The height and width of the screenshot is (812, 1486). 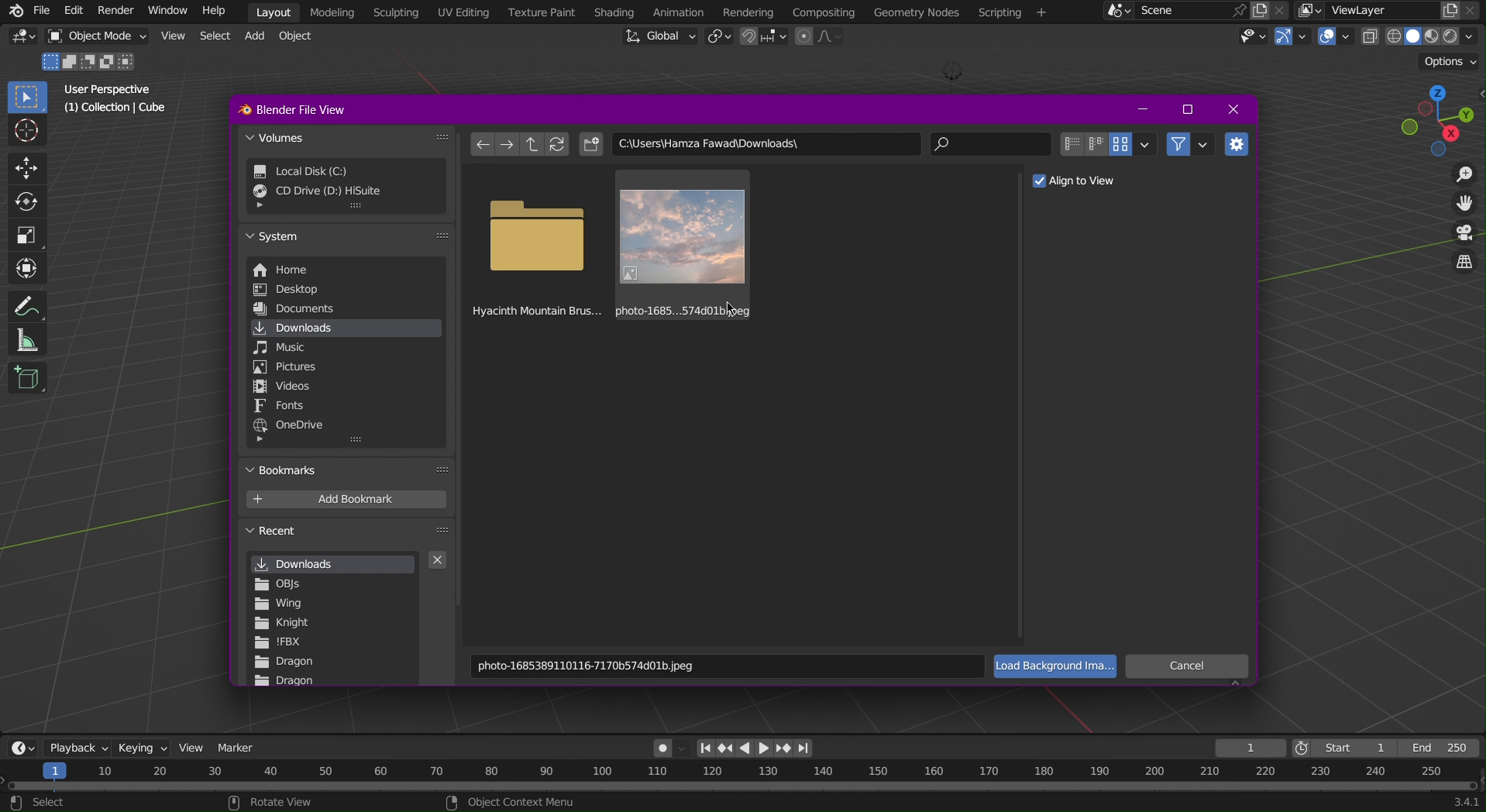 I want to click on Align to View, so click(x=1081, y=179).